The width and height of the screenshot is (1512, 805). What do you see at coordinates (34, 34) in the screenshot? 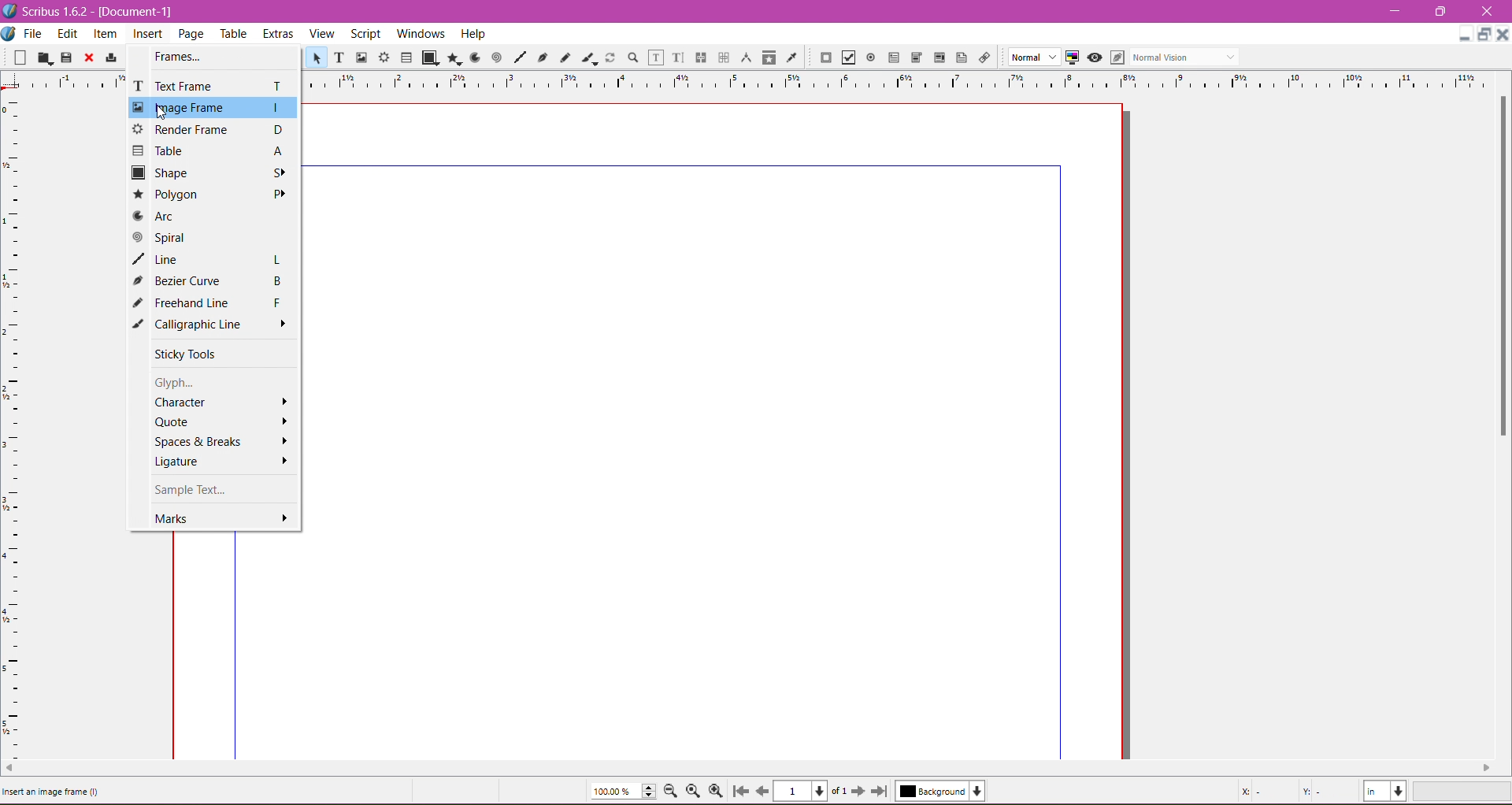
I see `File` at bounding box center [34, 34].